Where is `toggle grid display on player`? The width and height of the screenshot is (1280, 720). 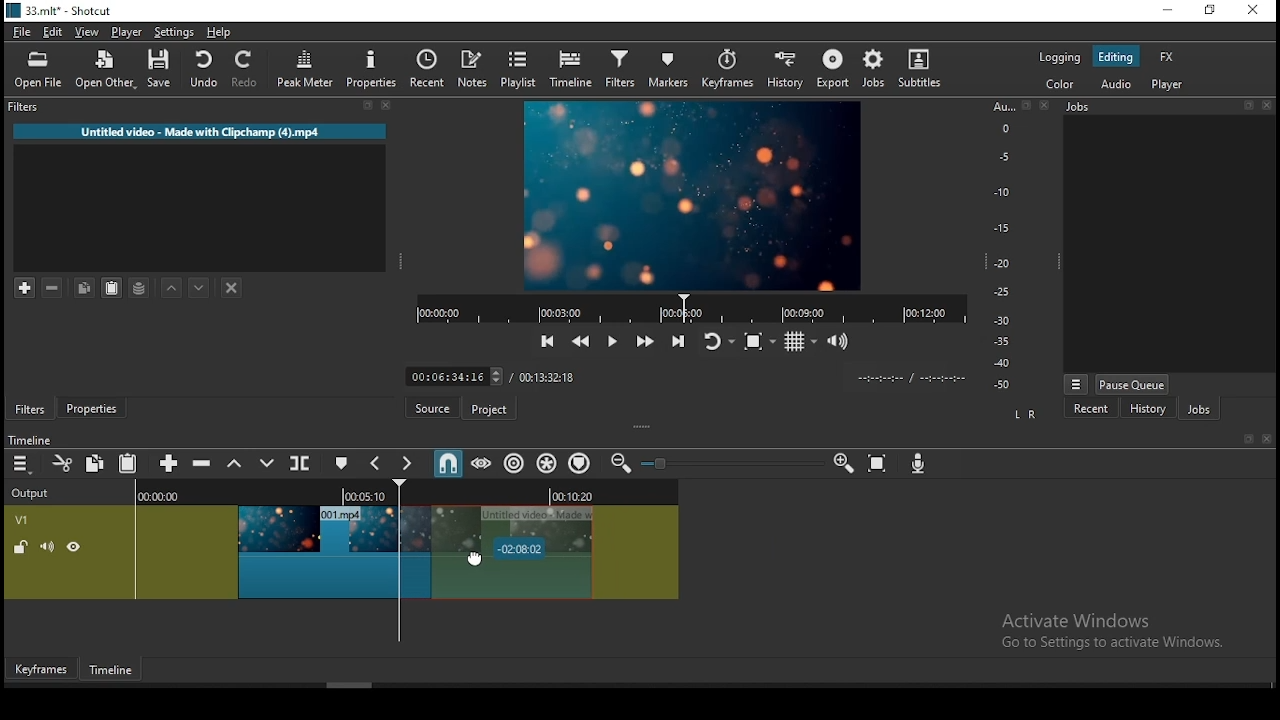
toggle grid display on player is located at coordinates (803, 339).